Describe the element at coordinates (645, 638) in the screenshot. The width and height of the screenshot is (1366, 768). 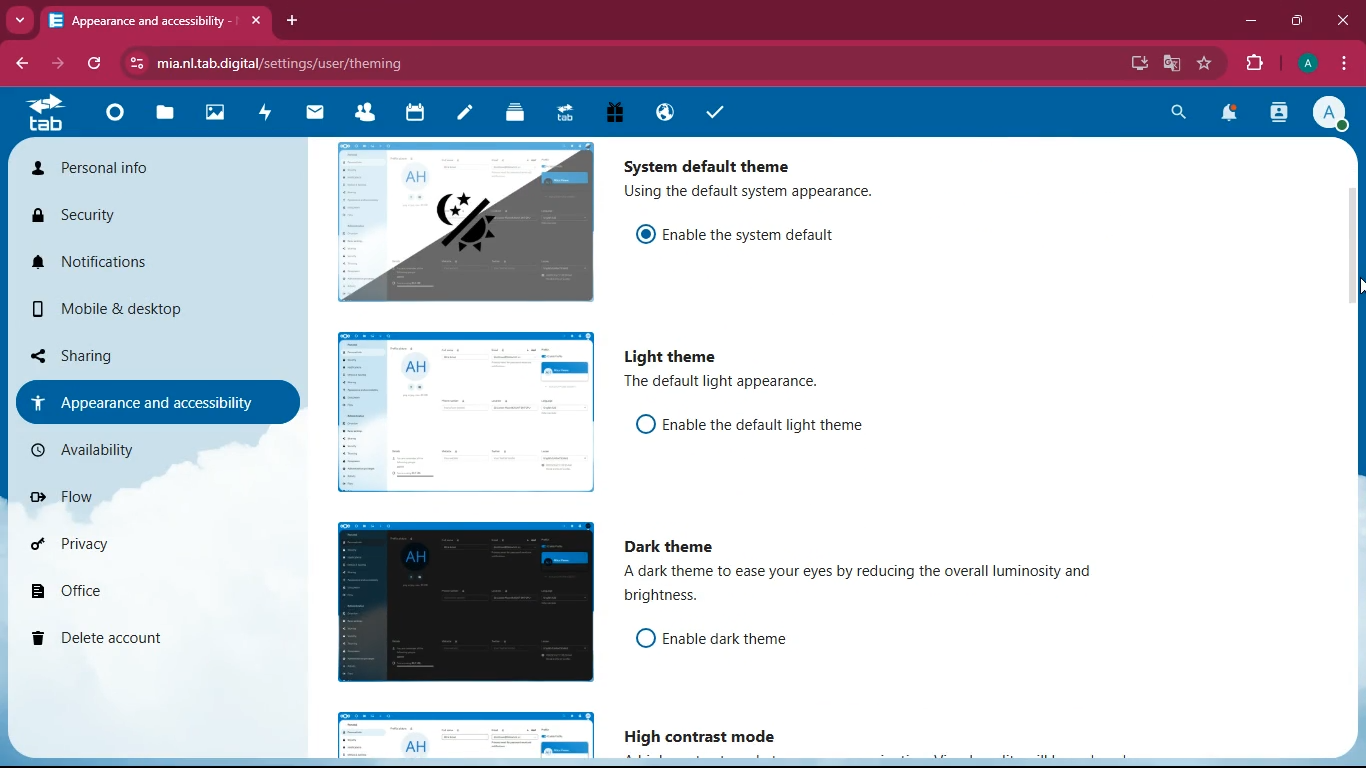
I see `off` at that location.